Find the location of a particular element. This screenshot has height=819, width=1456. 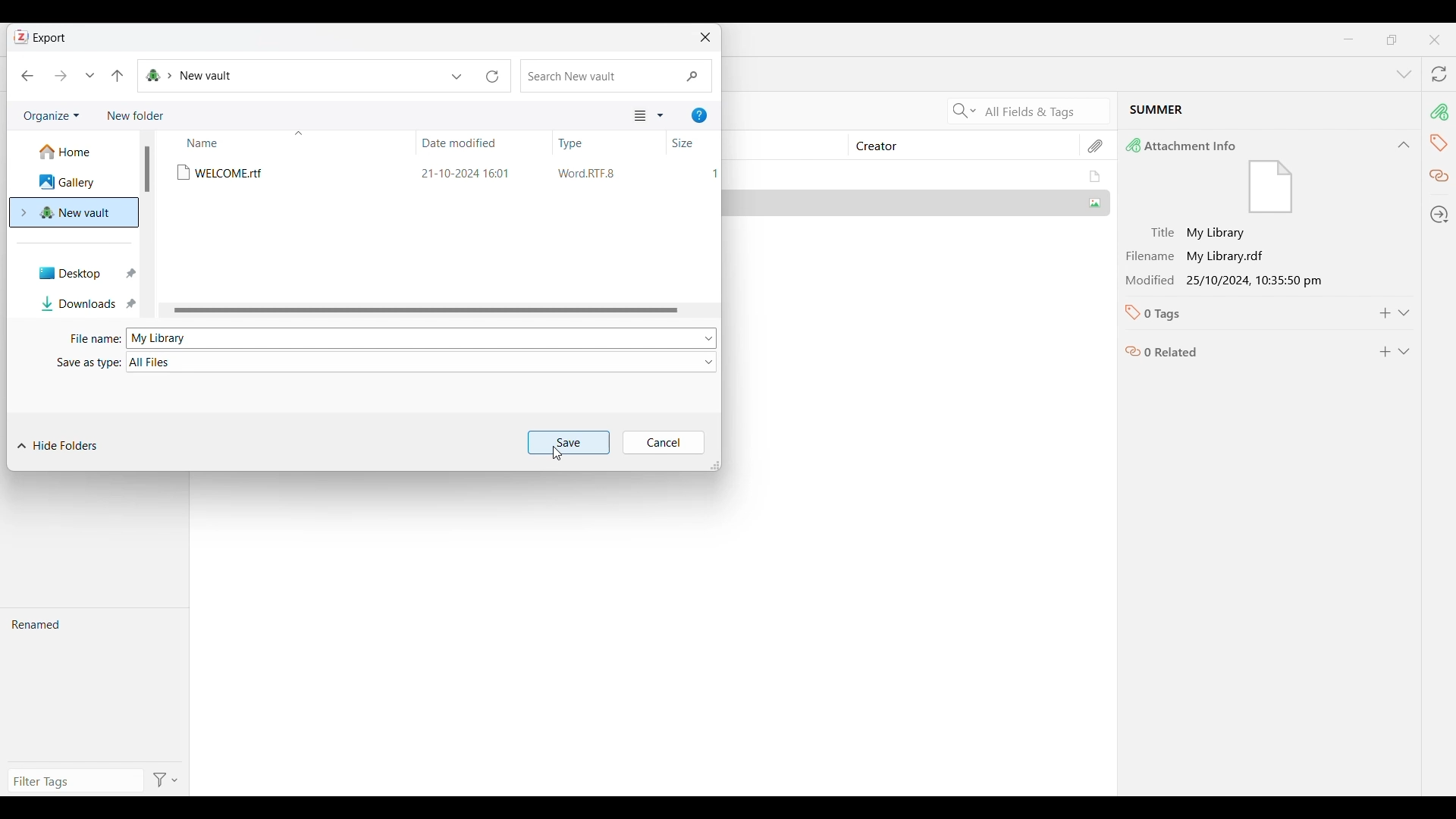

Gallery is located at coordinates (76, 180).